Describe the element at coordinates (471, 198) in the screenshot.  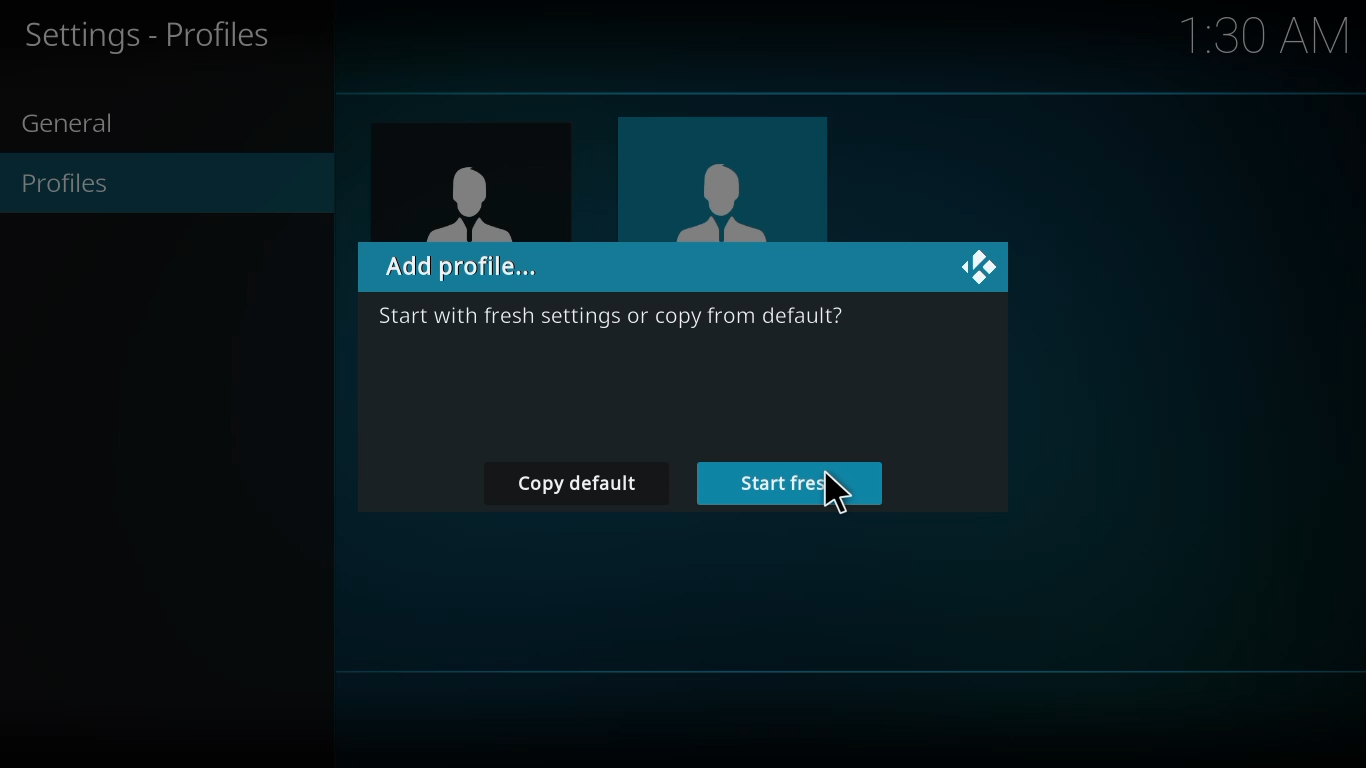
I see `user` at that location.